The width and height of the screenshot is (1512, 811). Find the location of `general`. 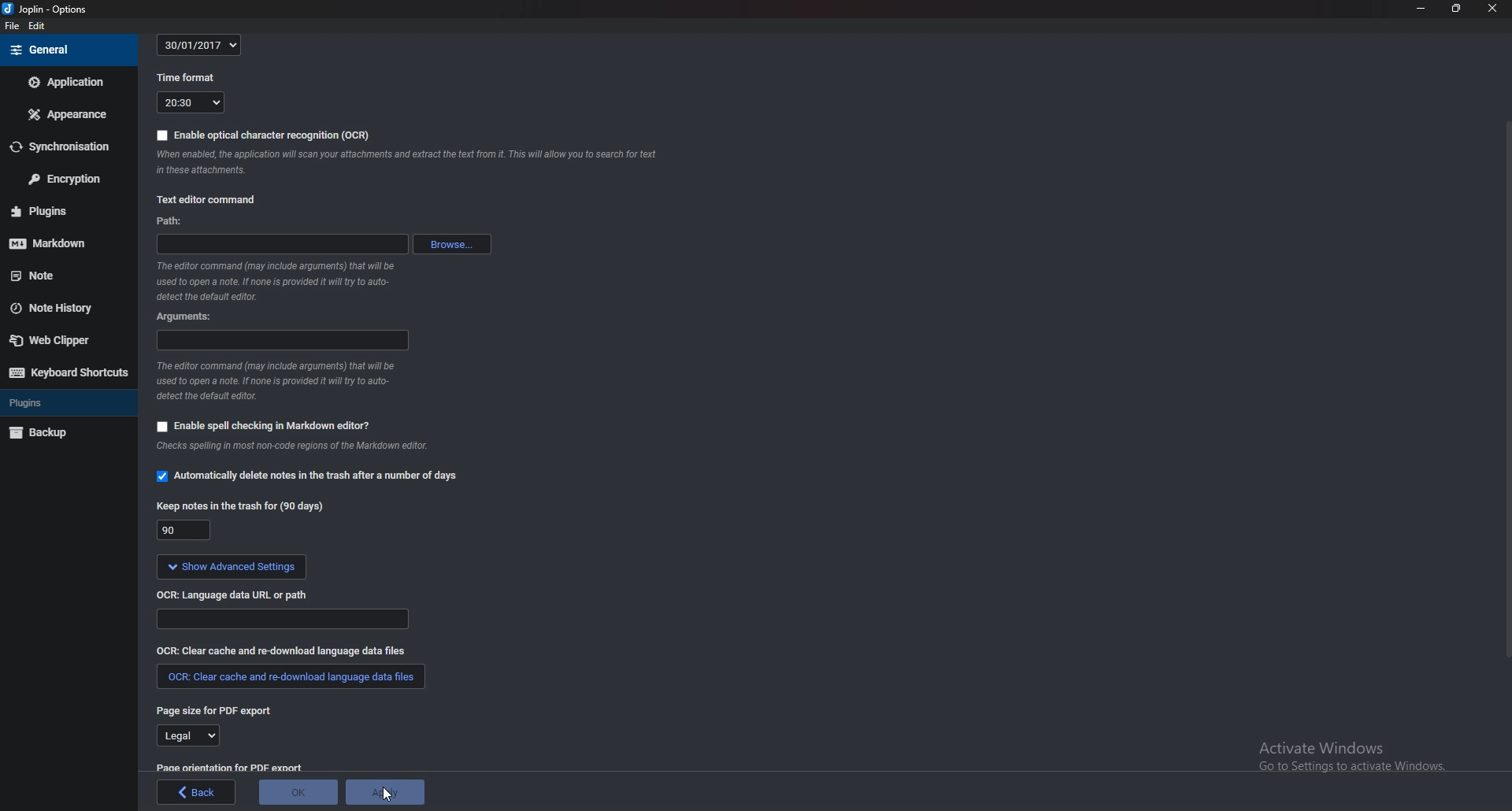

general is located at coordinates (68, 49).